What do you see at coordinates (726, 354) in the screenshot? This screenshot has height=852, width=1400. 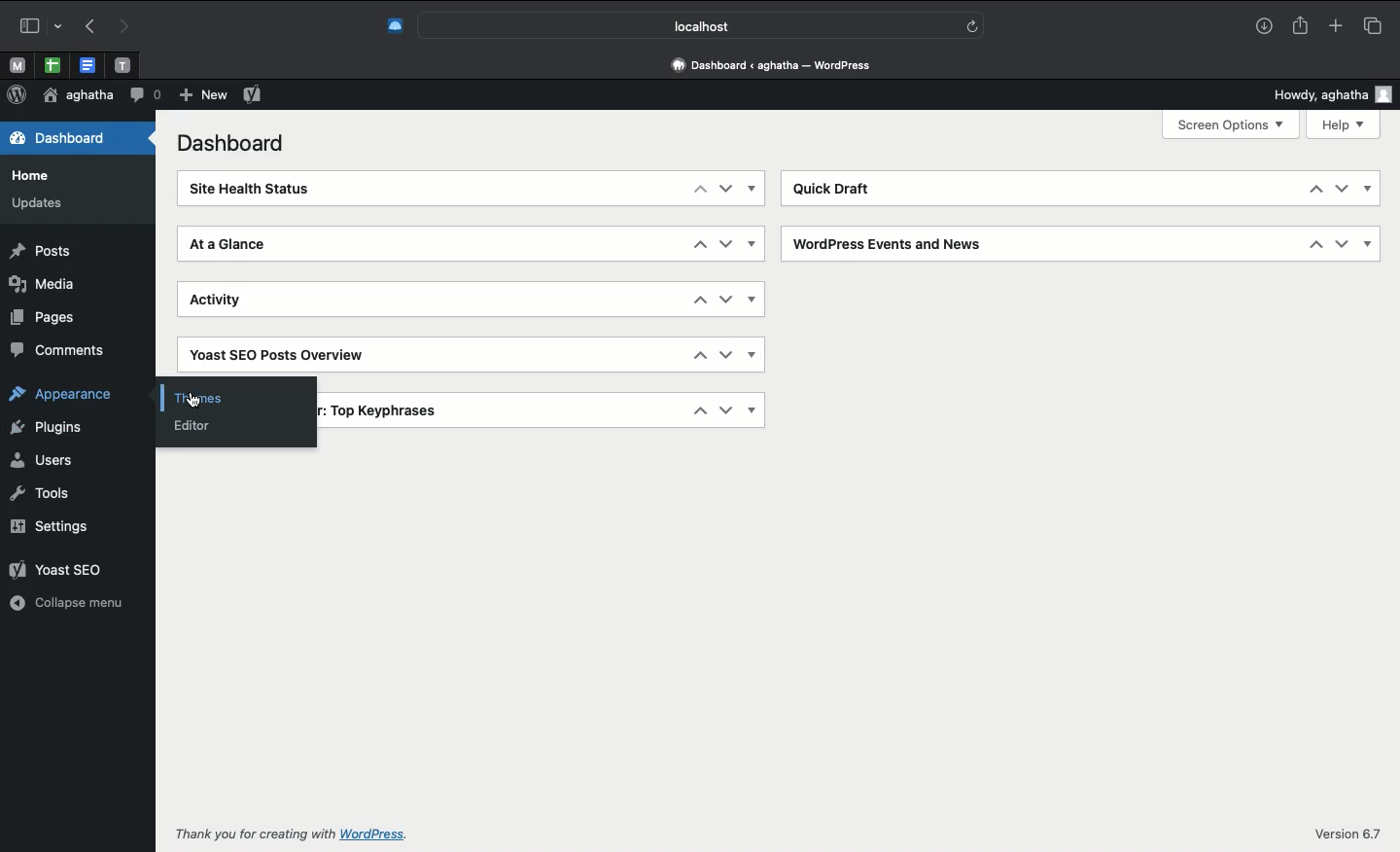 I see `Down` at bounding box center [726, 354].